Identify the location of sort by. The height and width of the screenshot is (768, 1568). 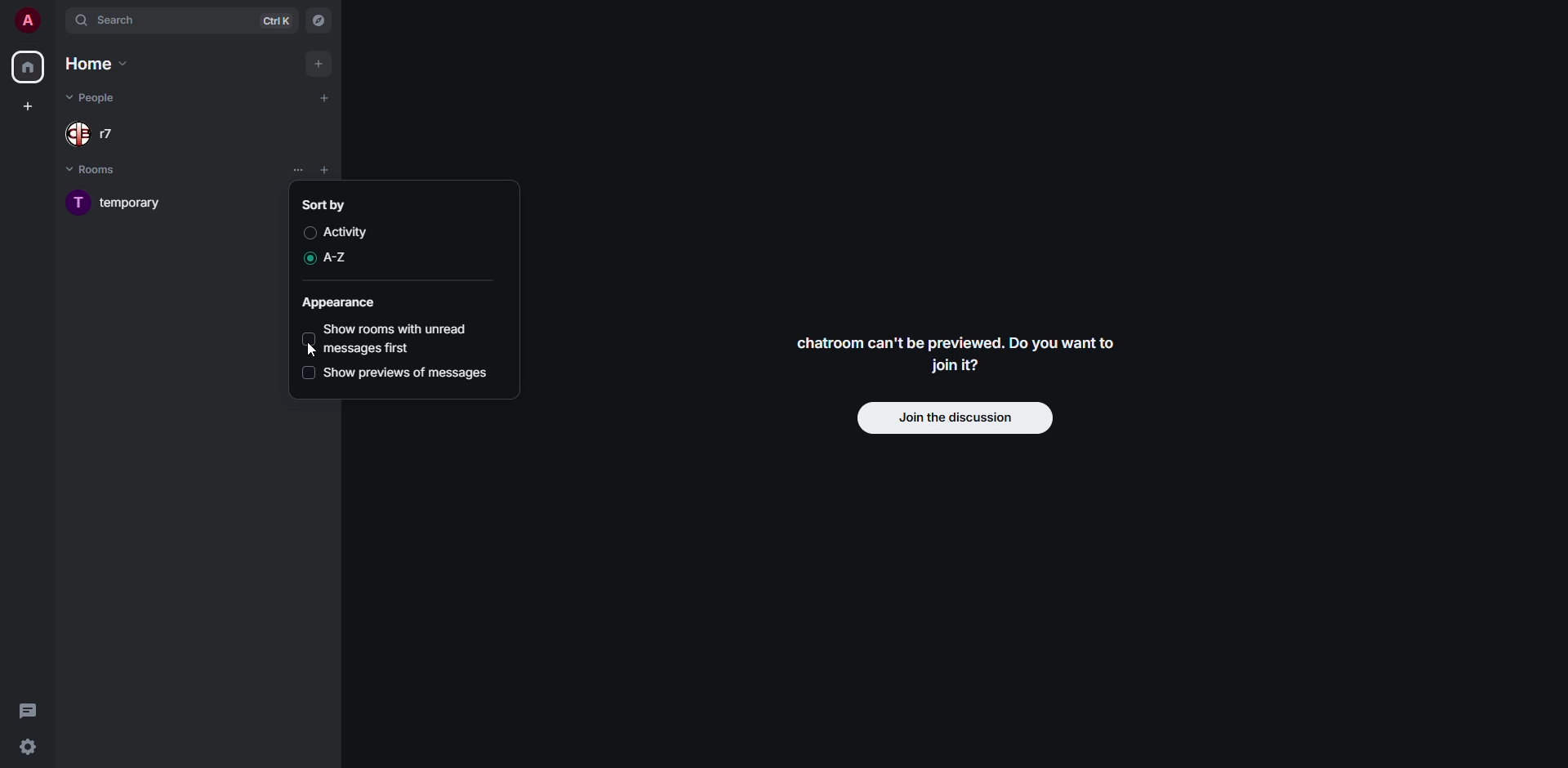
(329, 205).